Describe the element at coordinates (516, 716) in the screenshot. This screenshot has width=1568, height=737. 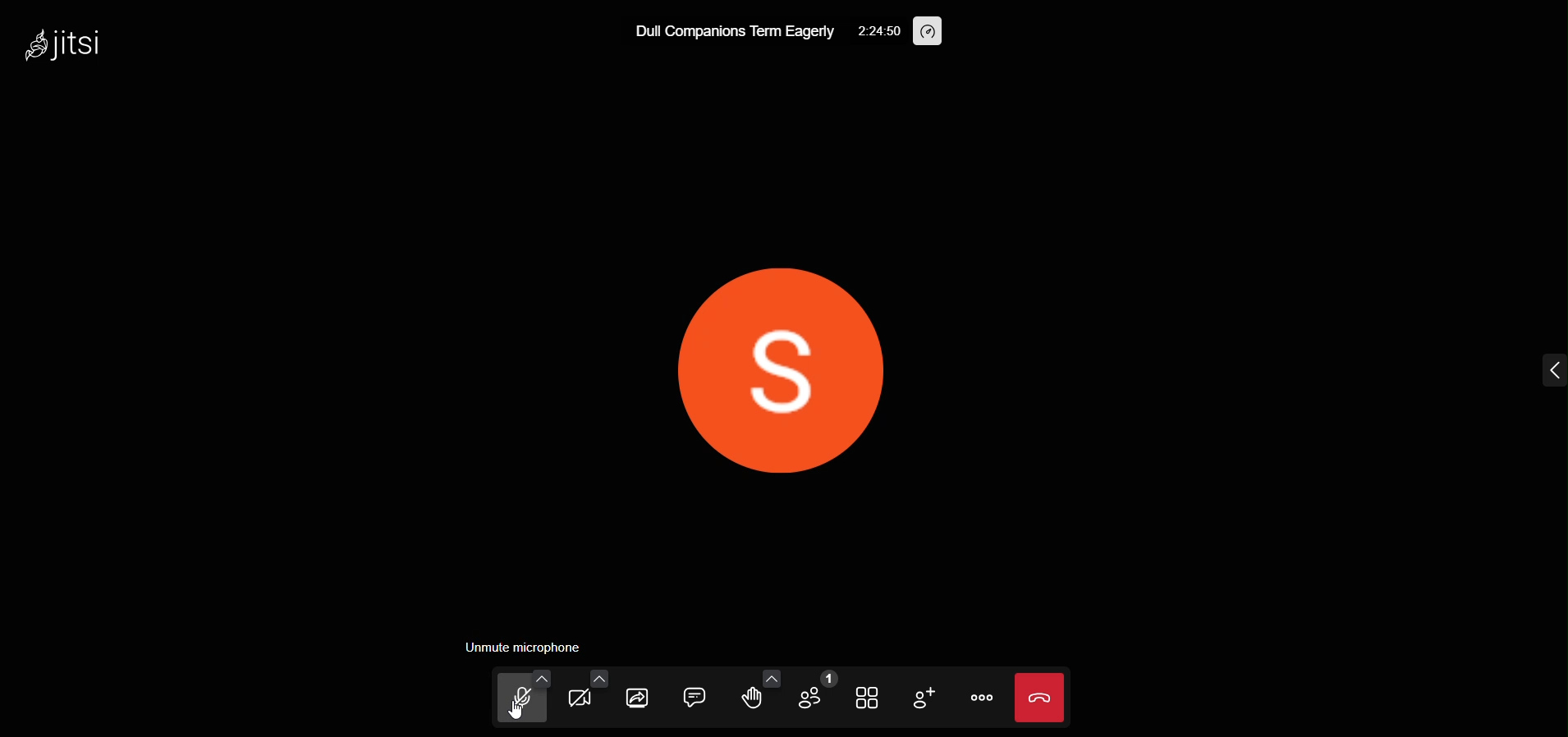
I see `cursor` at that location.